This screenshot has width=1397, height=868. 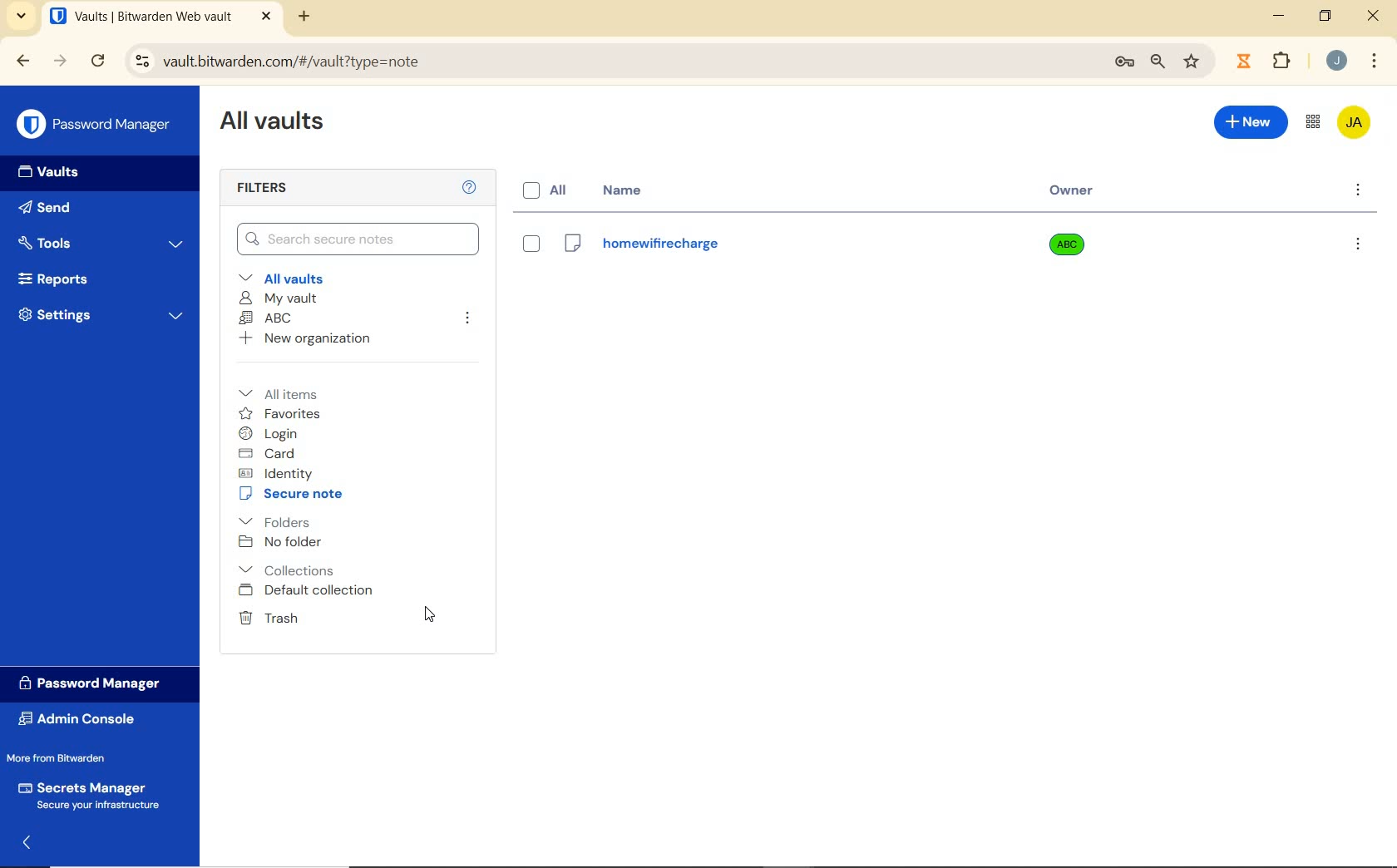 I want to click on owner, so click(x=1077, y=192).